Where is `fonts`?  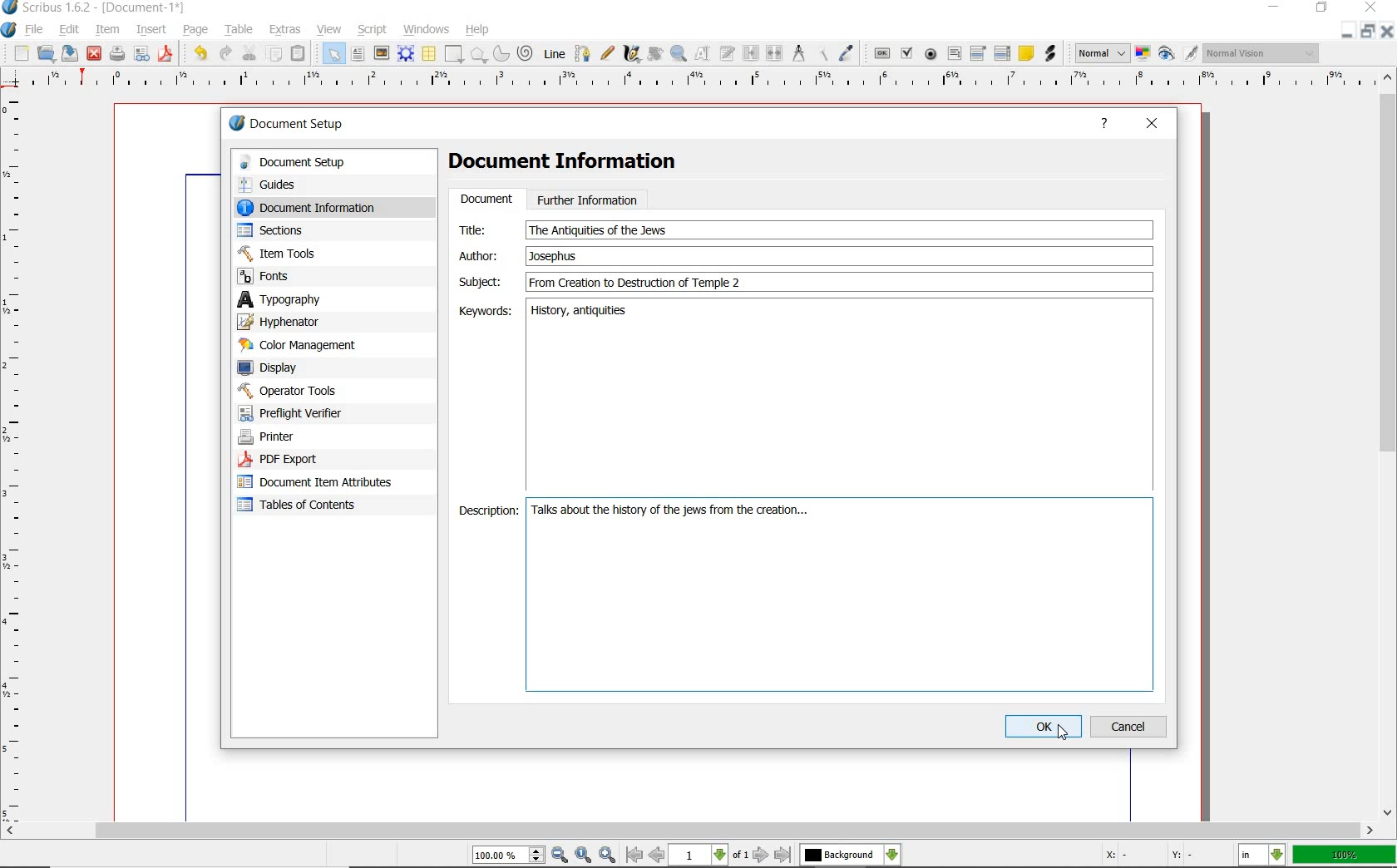 fonts is located at coordinates (315, 277).